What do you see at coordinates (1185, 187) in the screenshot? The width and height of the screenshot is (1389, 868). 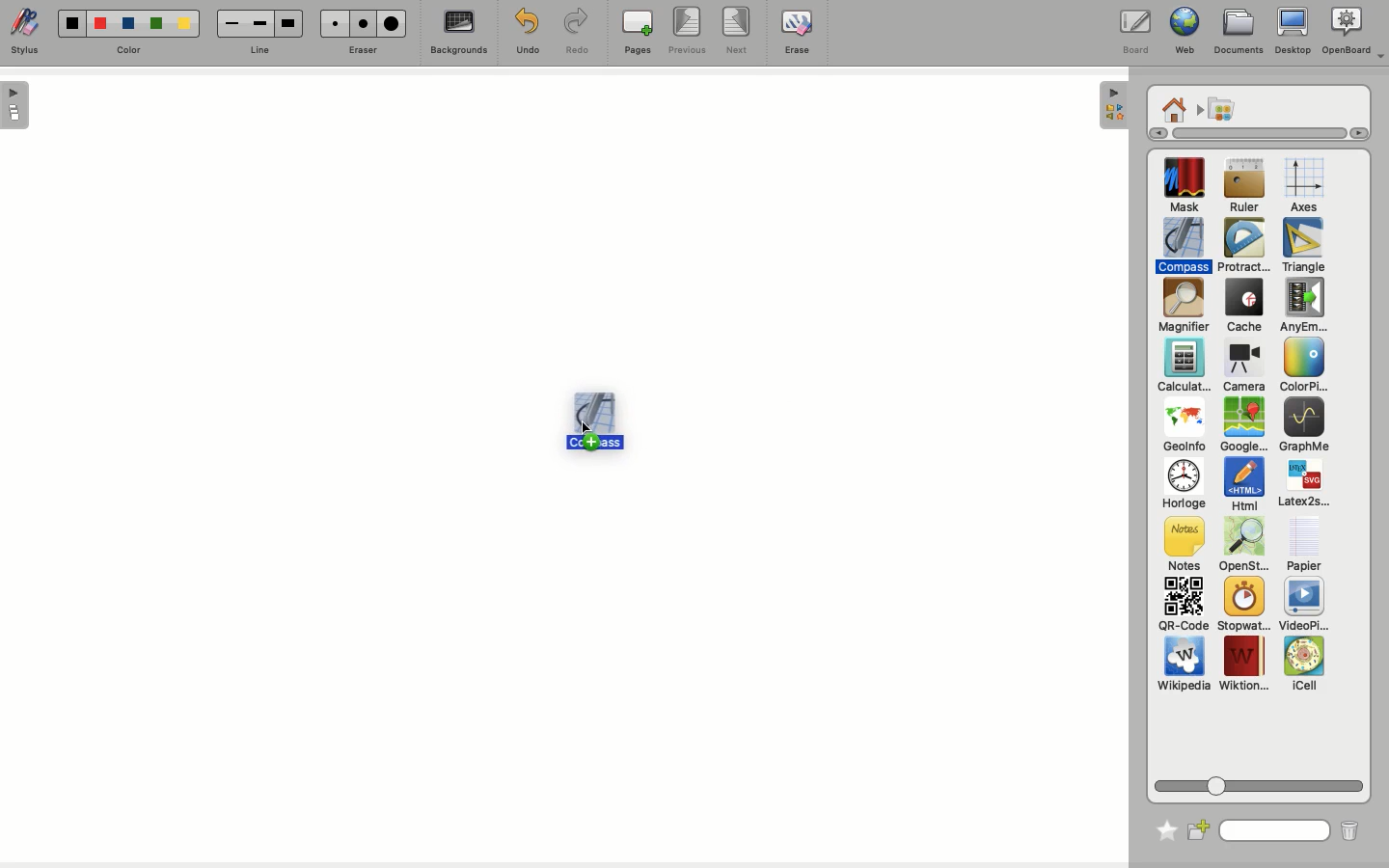 I see `Mask` at bounding box center [1185, 187].